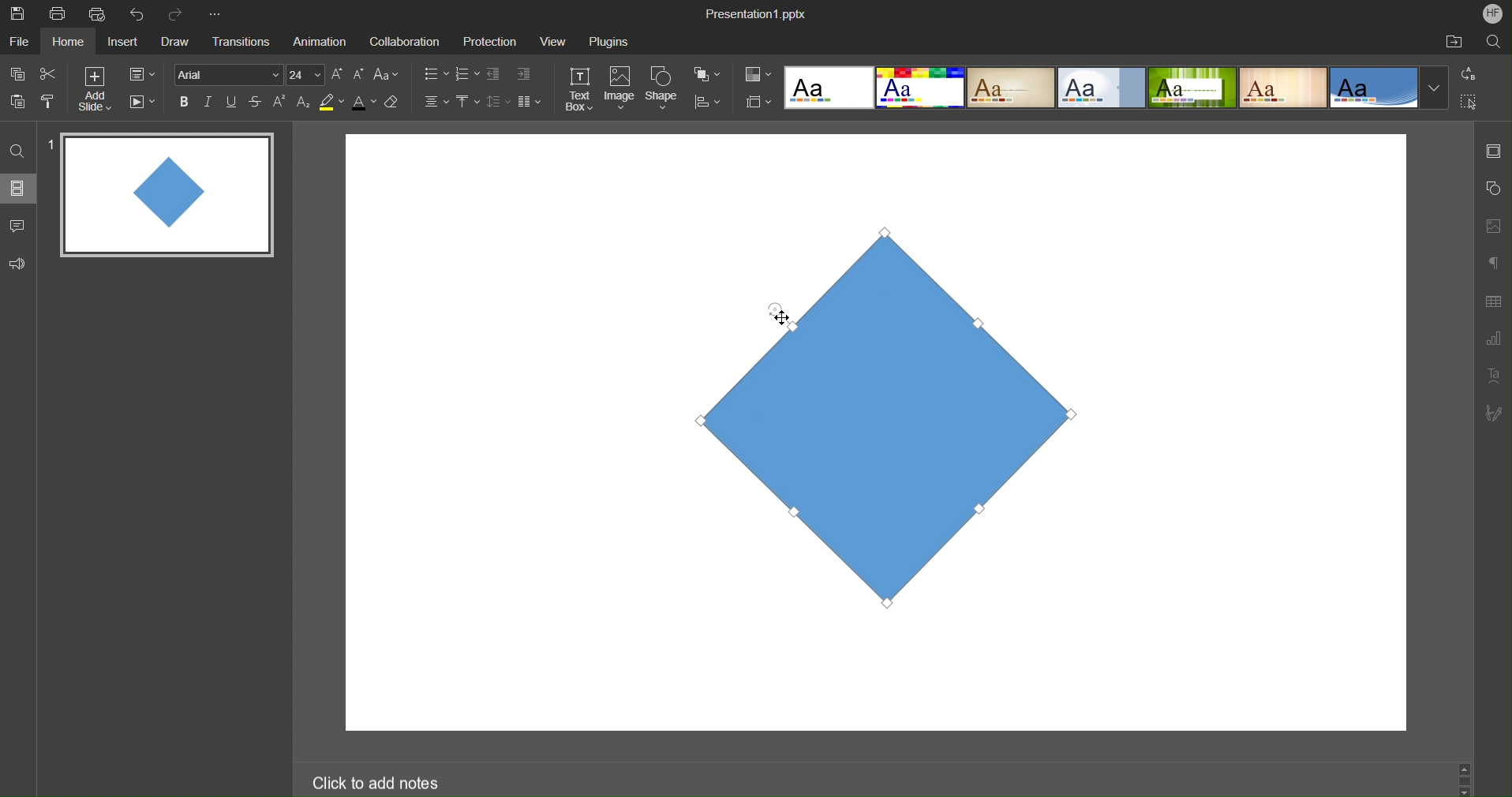 The width and height of the screenshot is (1512, 797). What do you see at coordinates (436, 101) in the screenshot?
I see `Alignment` at bounding box center [436, 101].